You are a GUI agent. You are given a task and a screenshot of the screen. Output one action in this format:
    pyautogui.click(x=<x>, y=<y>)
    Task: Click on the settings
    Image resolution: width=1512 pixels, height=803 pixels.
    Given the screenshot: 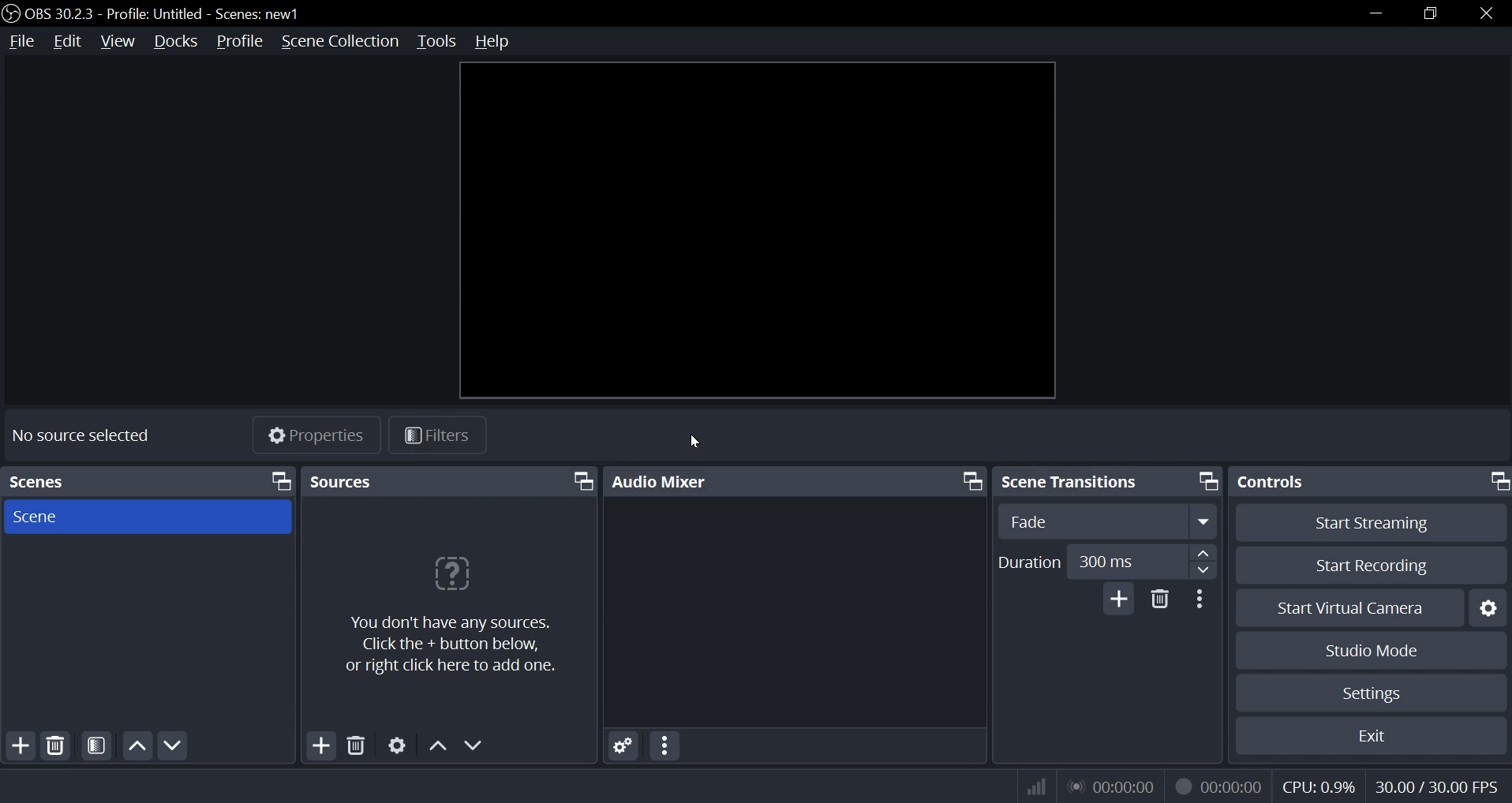 What is the action you would take?
    pyautogui.click(x=619, y=745)
    